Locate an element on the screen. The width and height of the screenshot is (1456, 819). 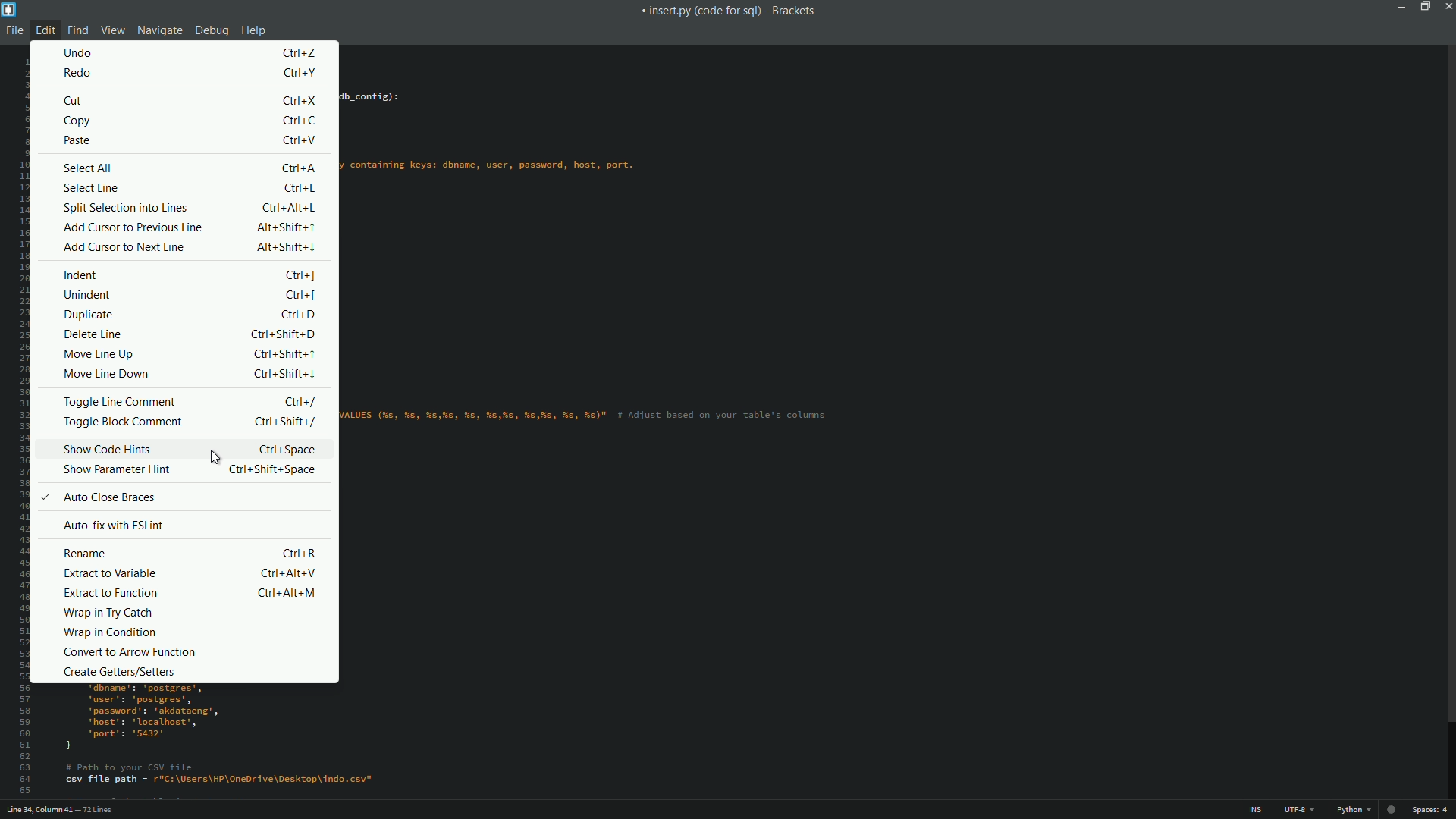
undo is located at coordinates (80, 52).